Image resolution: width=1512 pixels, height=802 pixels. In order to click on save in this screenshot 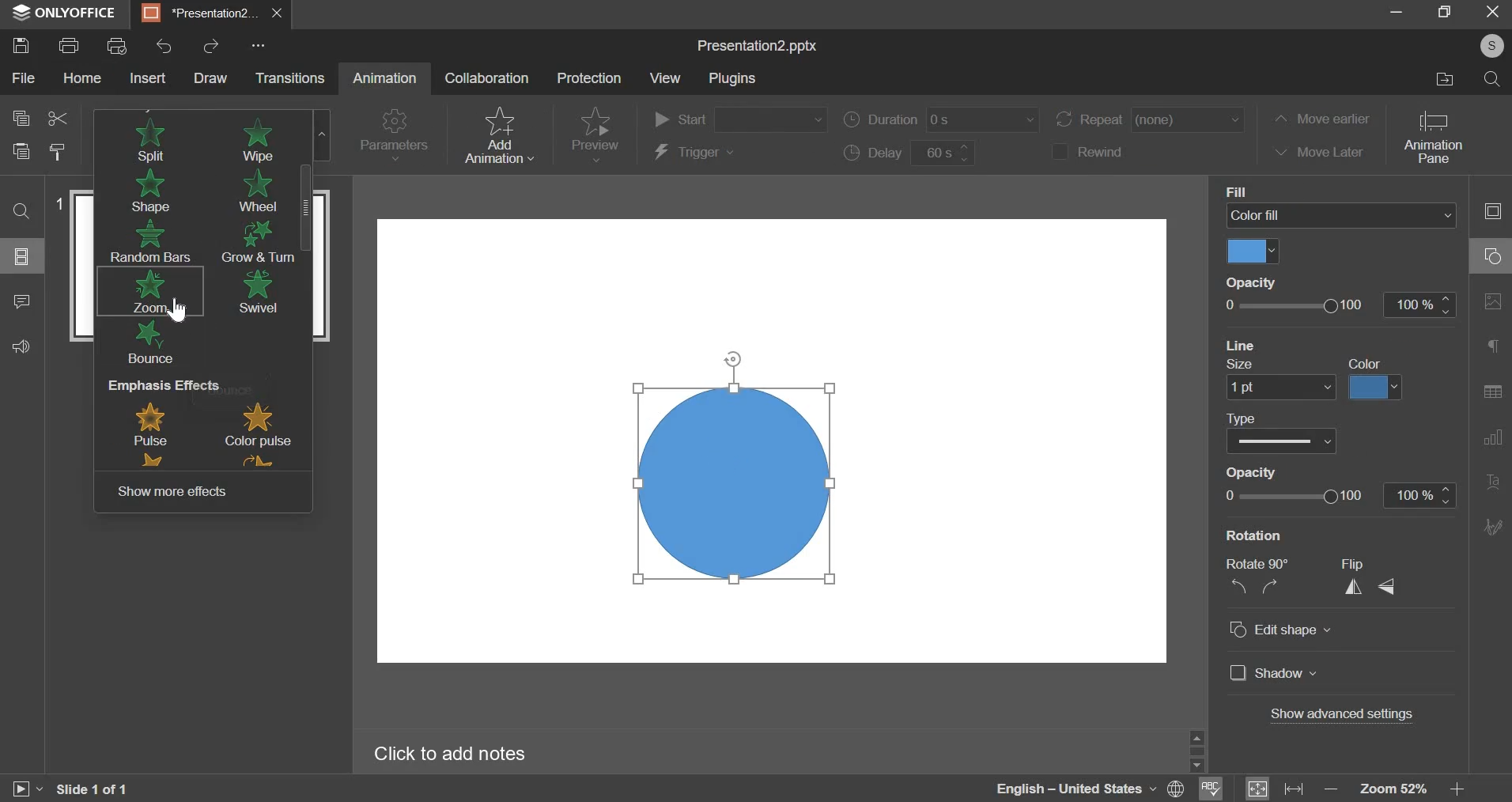, I will do `click(21, 45)`.